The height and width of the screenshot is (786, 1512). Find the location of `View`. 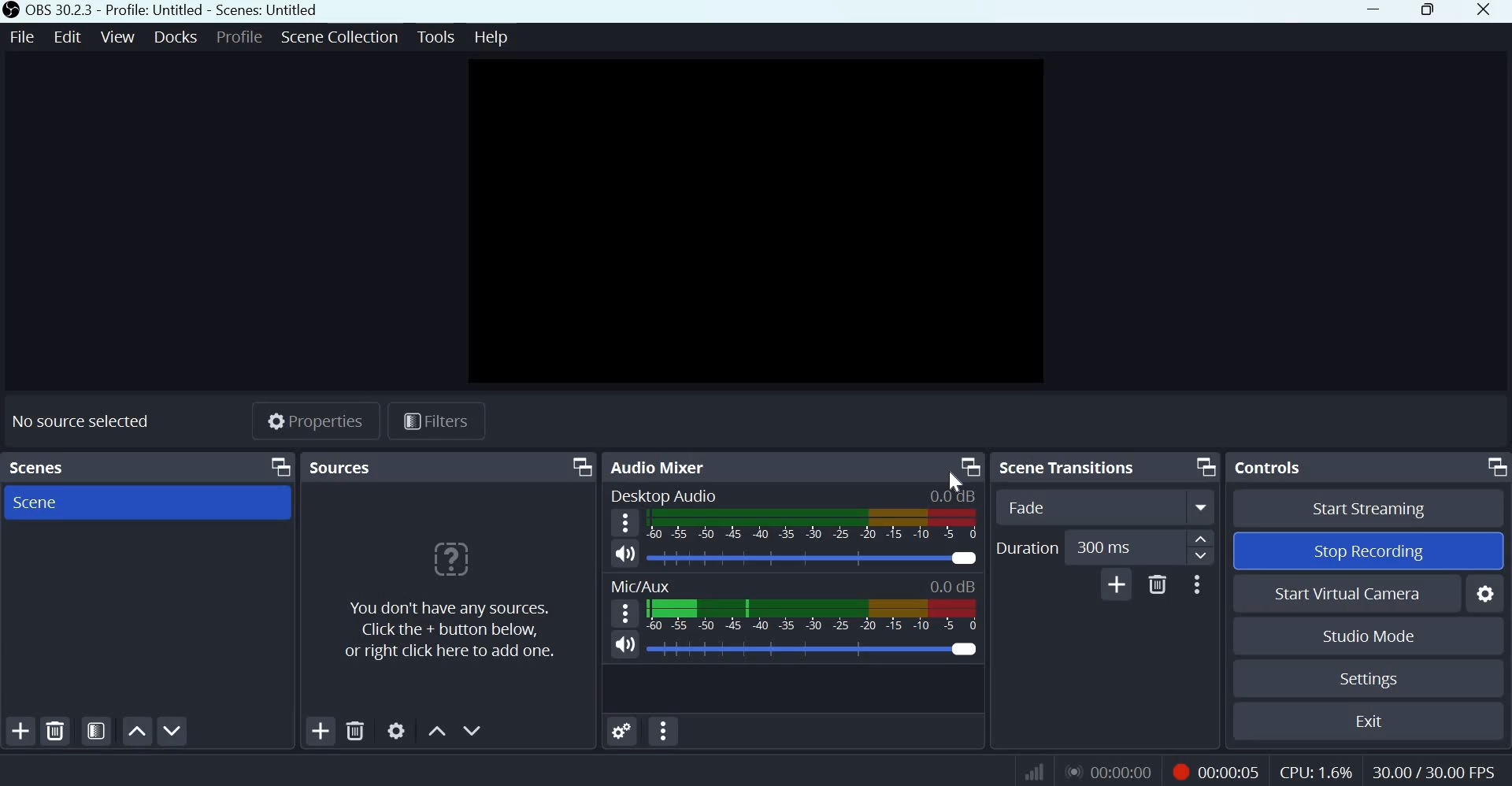

View is located at coordinates (116, 37).